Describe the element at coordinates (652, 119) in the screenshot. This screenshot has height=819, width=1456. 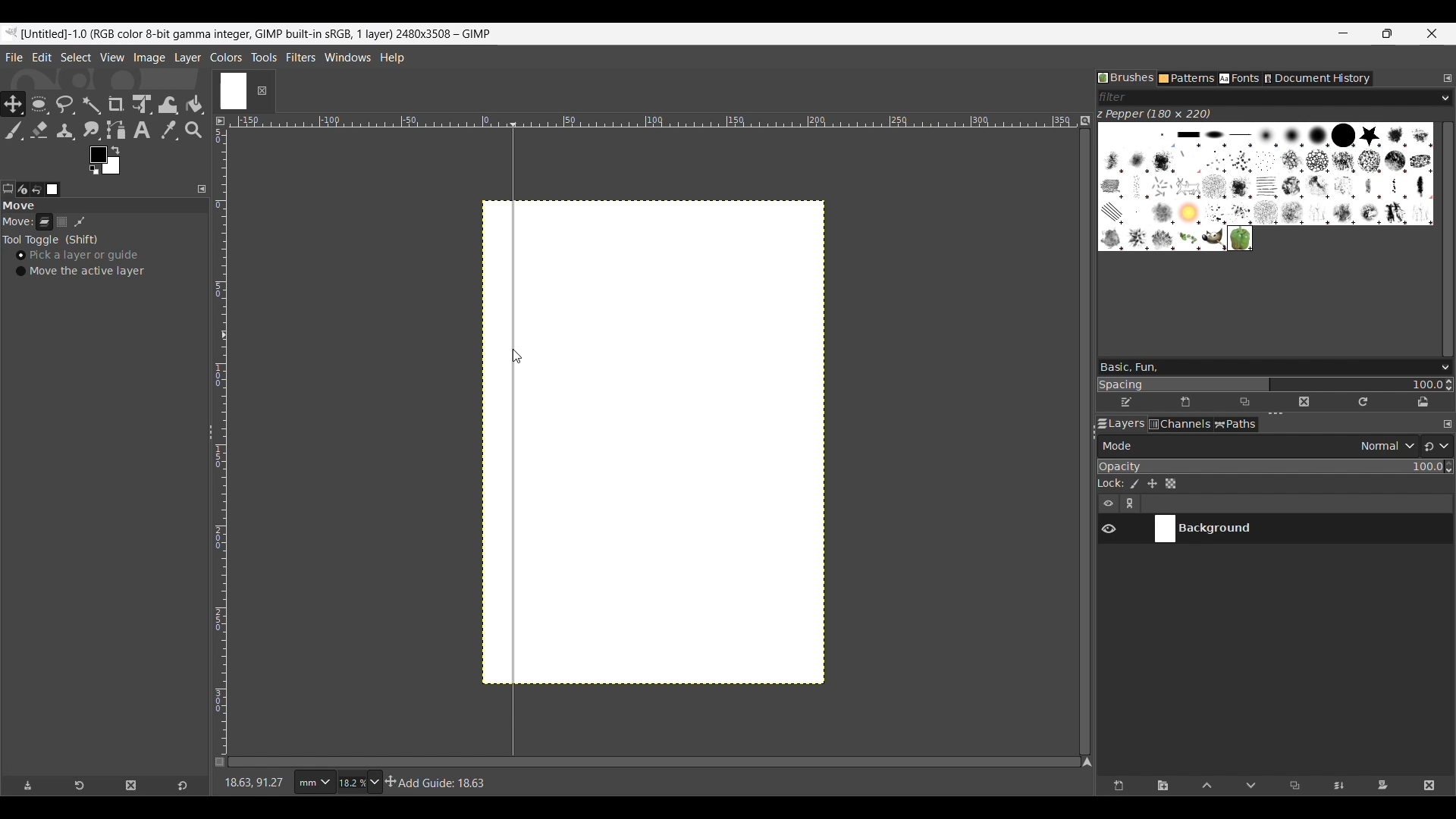
I see `Horizontal euler` at that location.